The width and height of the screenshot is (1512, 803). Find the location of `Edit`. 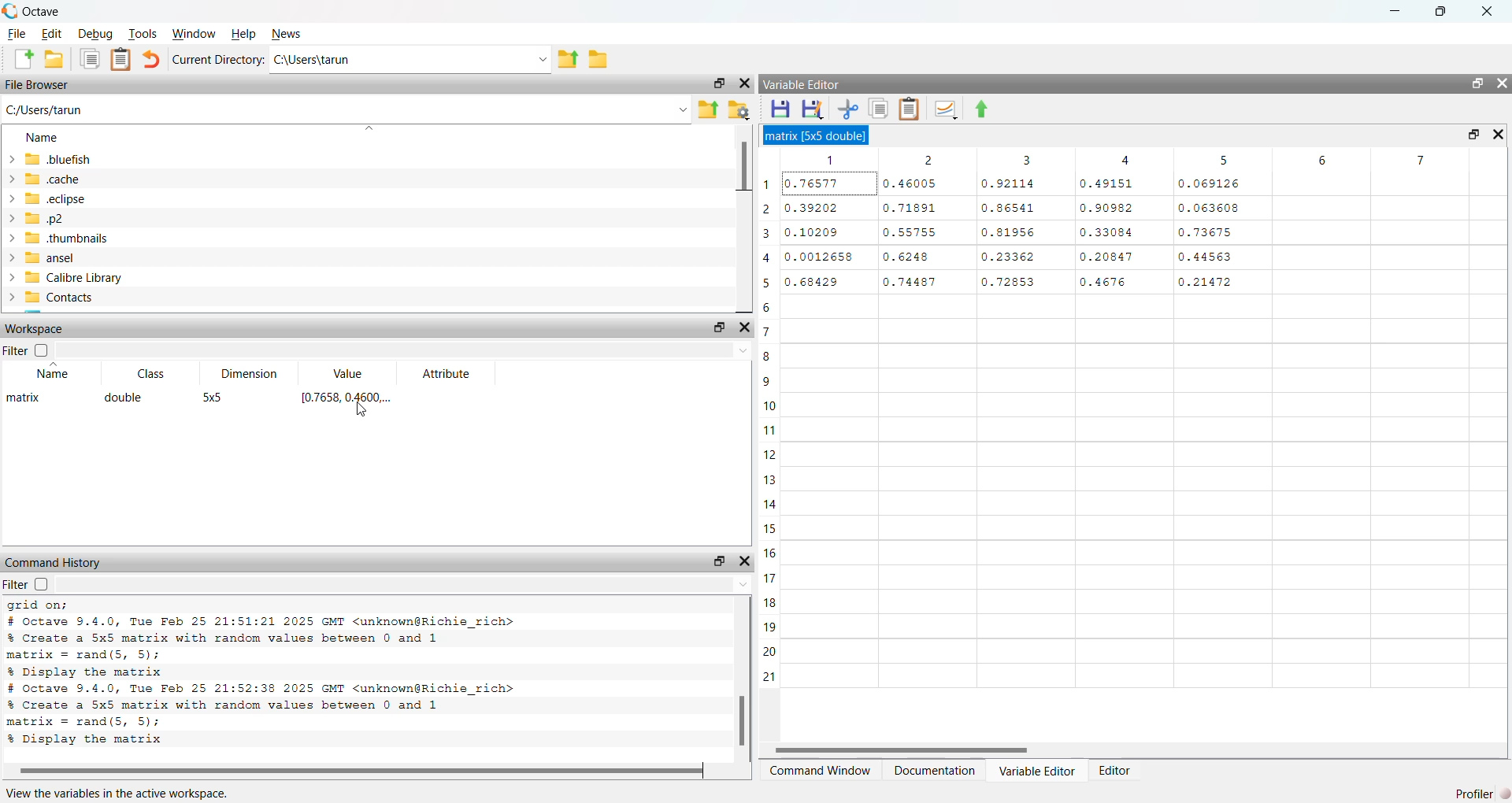

Edit is located at coordinates (52, 33).